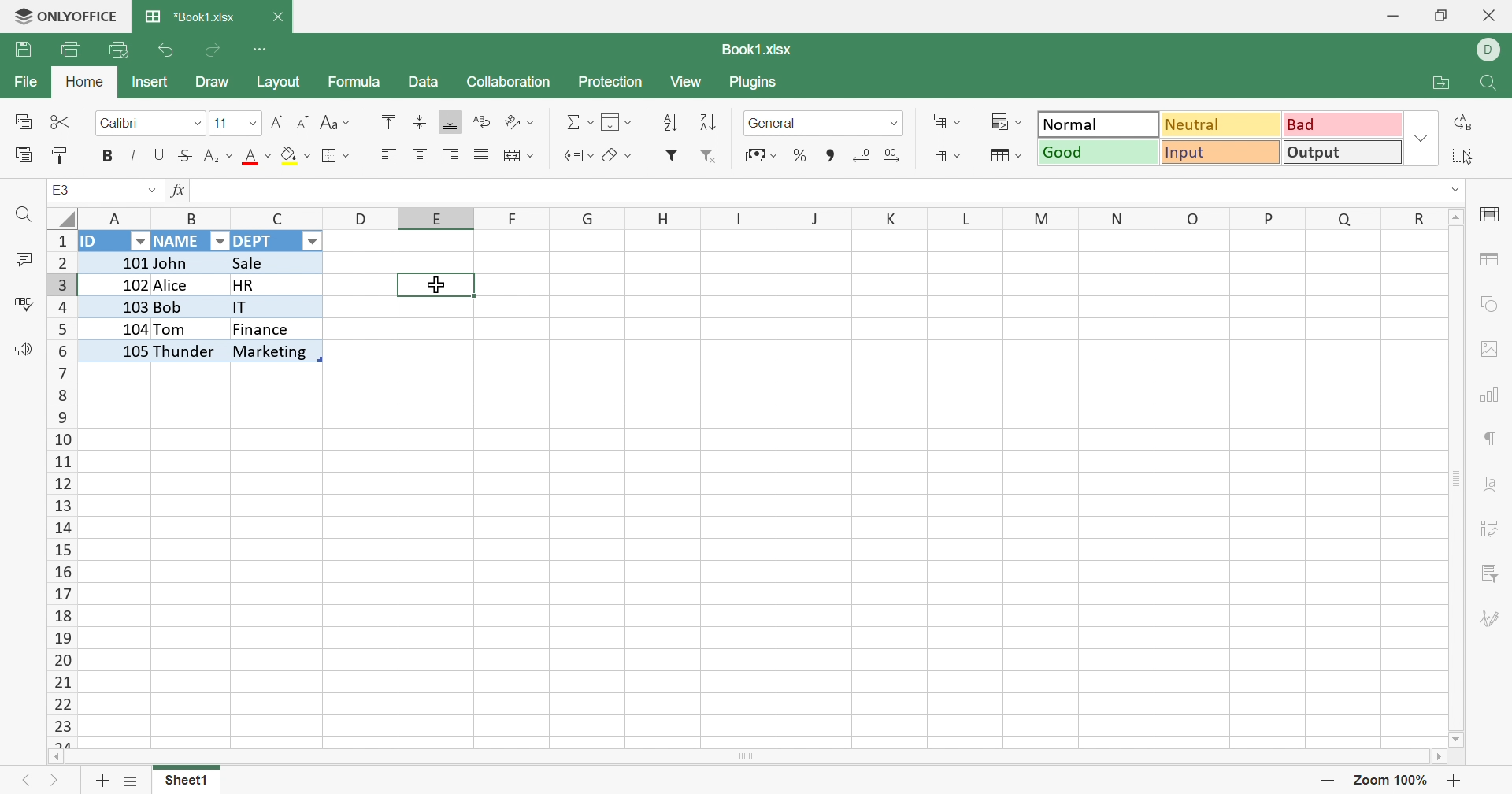 This screenshot has width=1512, height=794. I want to click on Undo, so click(165, 50).